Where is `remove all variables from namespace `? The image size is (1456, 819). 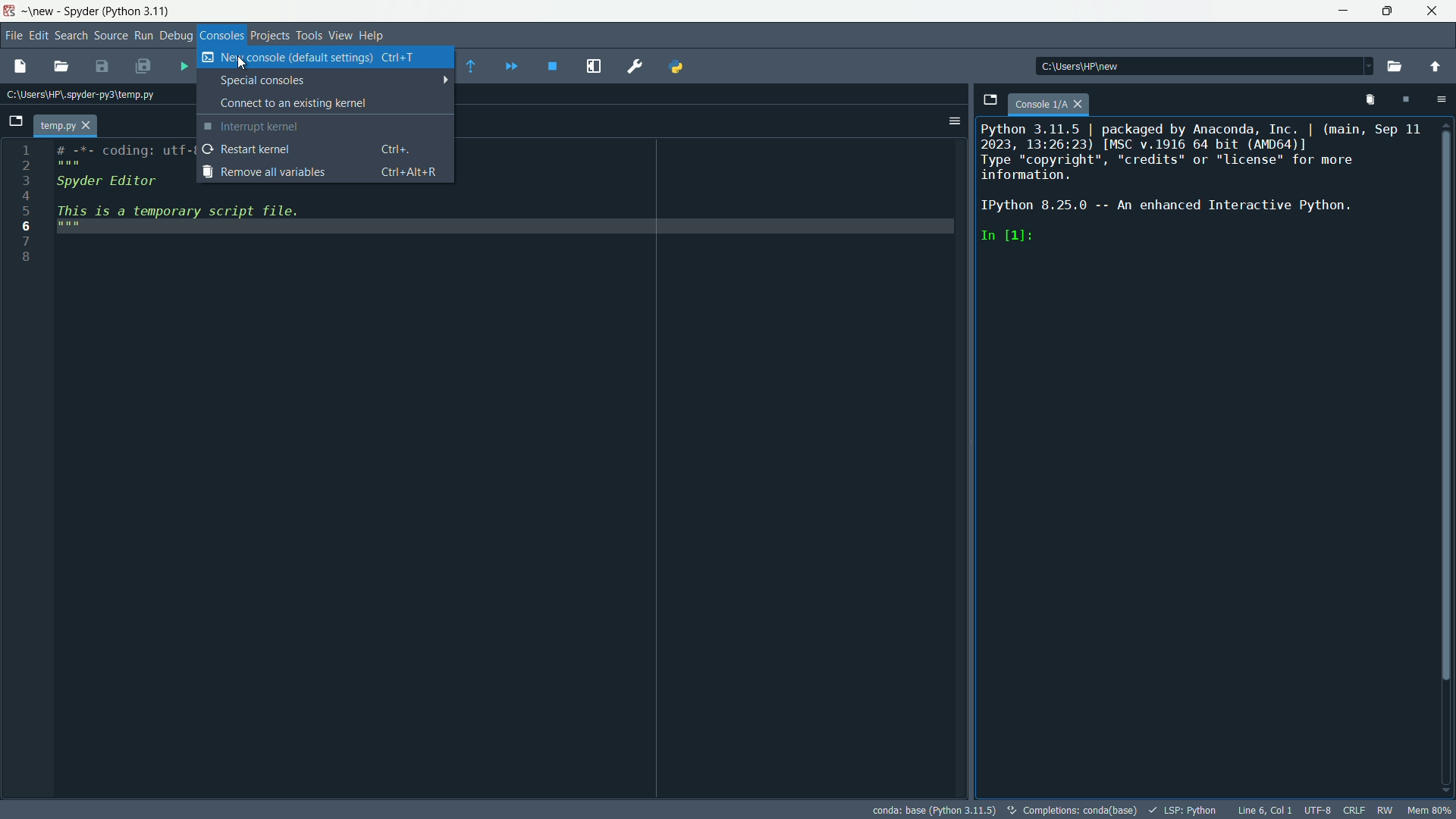
remove all variables from namespace  is located at coordinates (1370, 100).